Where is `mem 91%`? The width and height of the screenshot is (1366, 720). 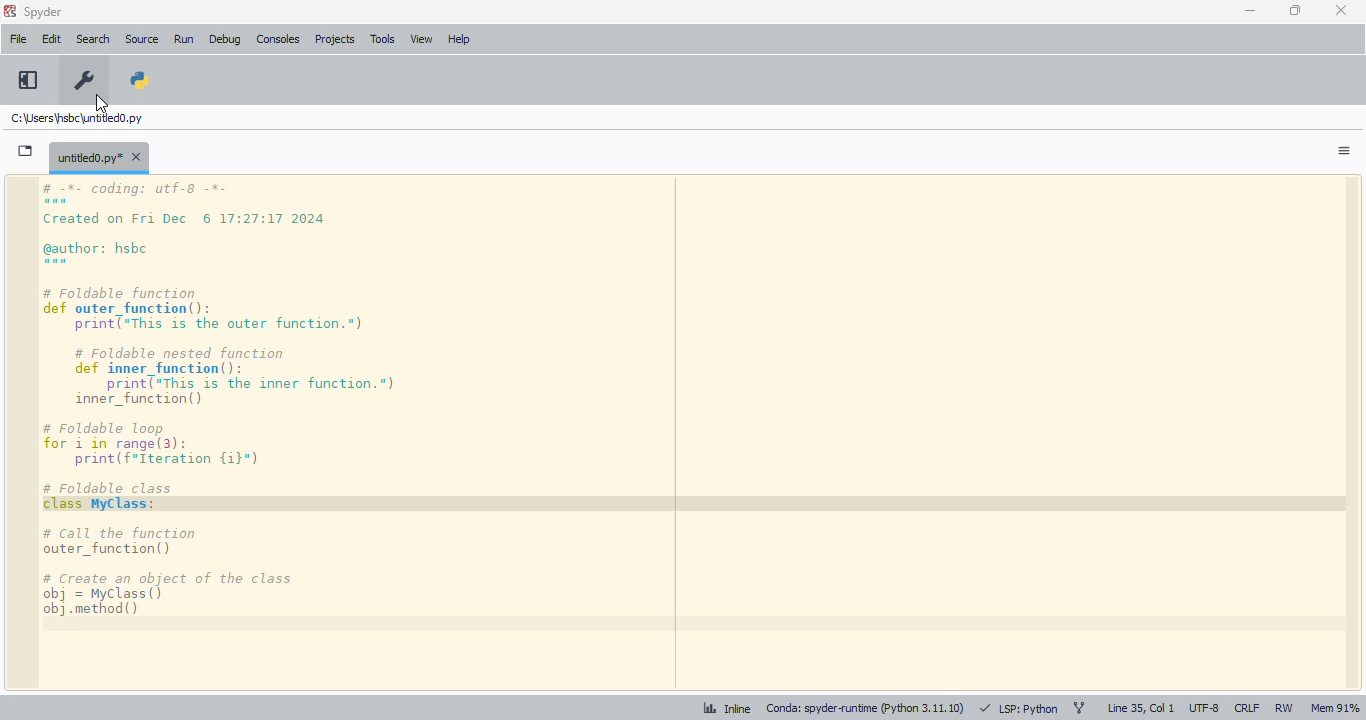
mem 91% is located at coordinates (1335, 709).